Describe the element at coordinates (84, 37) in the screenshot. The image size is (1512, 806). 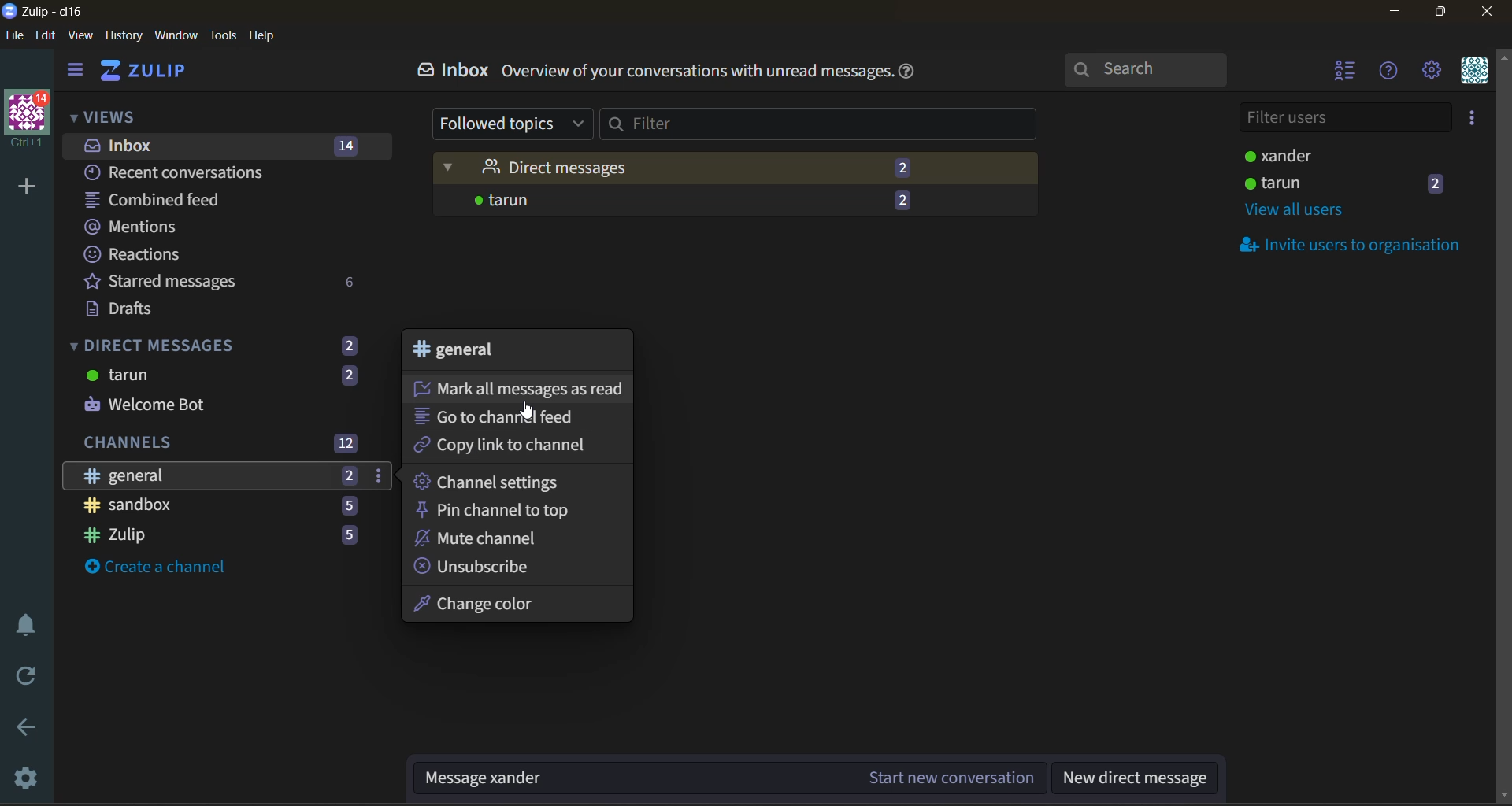
I see `view` at that location.